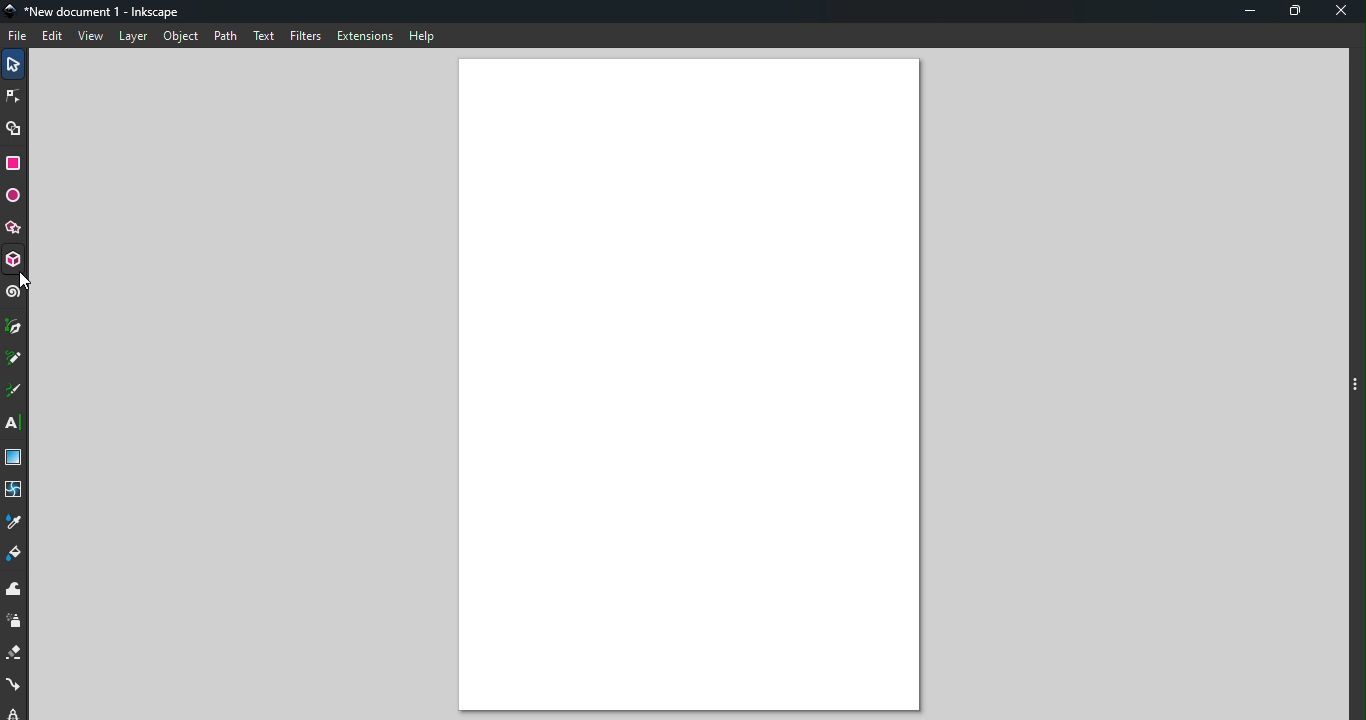 Image resolution: width=1366 pixels, height=720 pixels. I want to click on 3D box tool, so click(14, 259).